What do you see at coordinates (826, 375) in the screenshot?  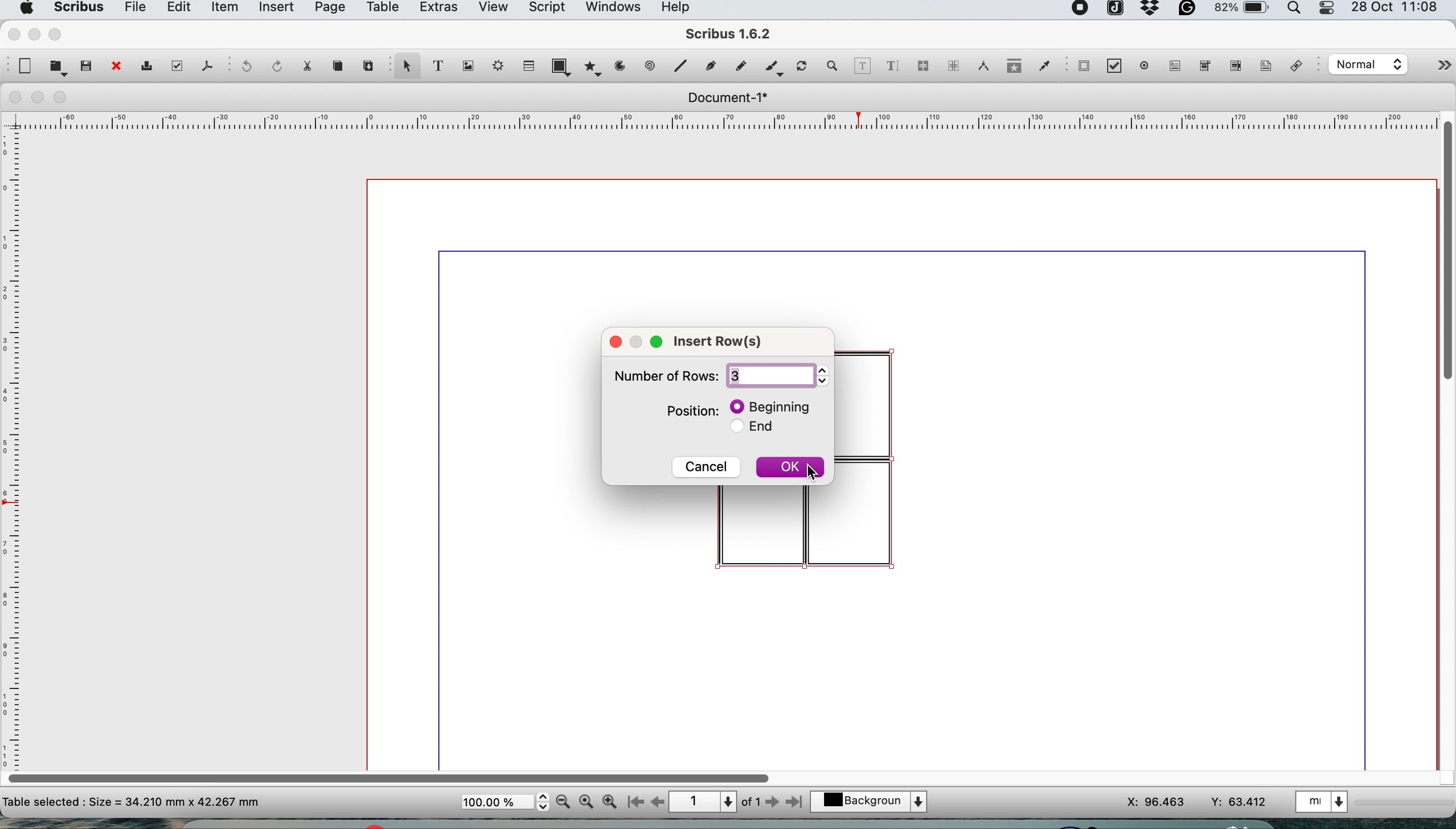 I see `increment or decrement number of rows` at bounding box center [826, 375].